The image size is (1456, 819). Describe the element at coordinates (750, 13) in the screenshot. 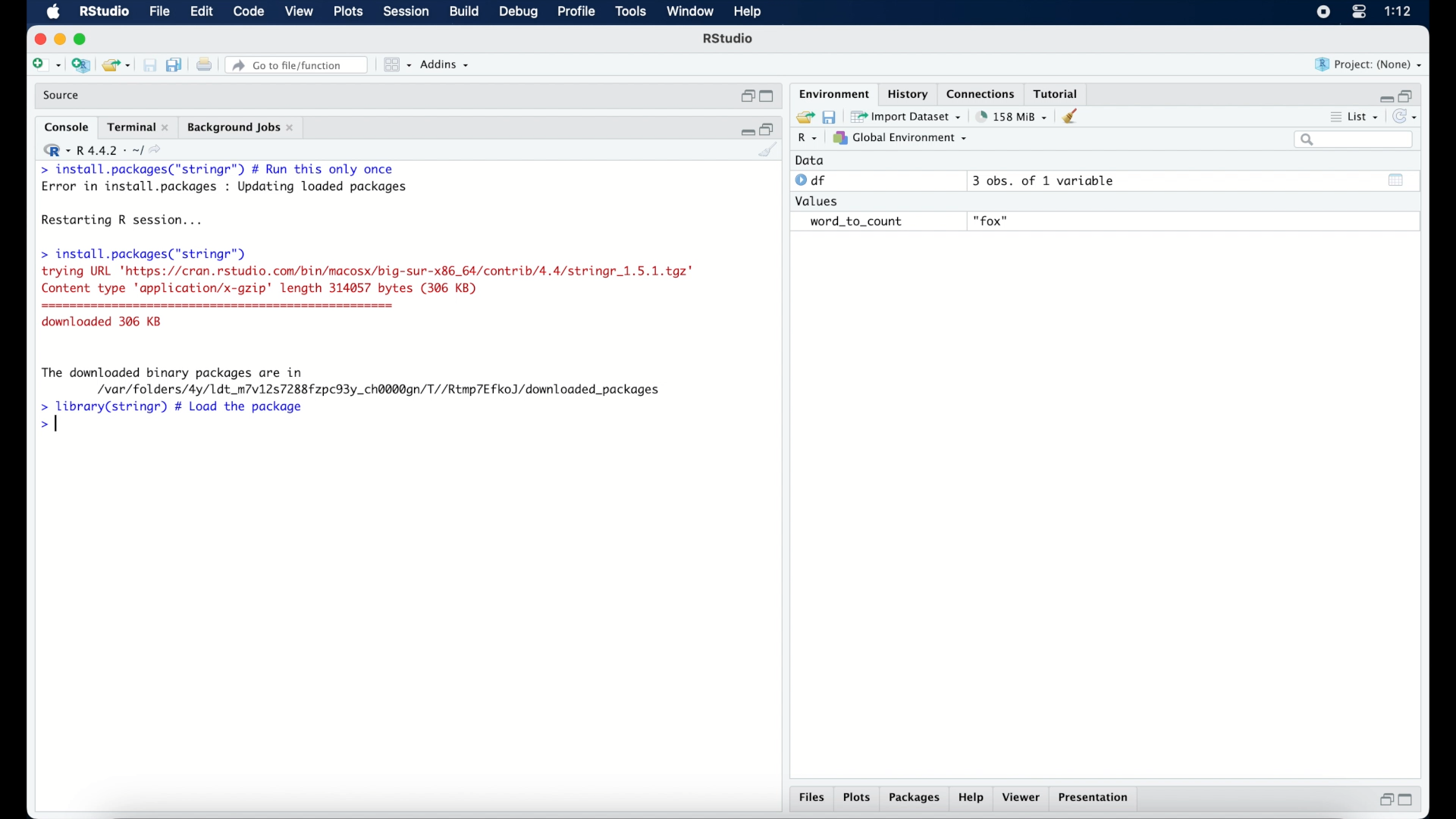

I see `help` at that location.